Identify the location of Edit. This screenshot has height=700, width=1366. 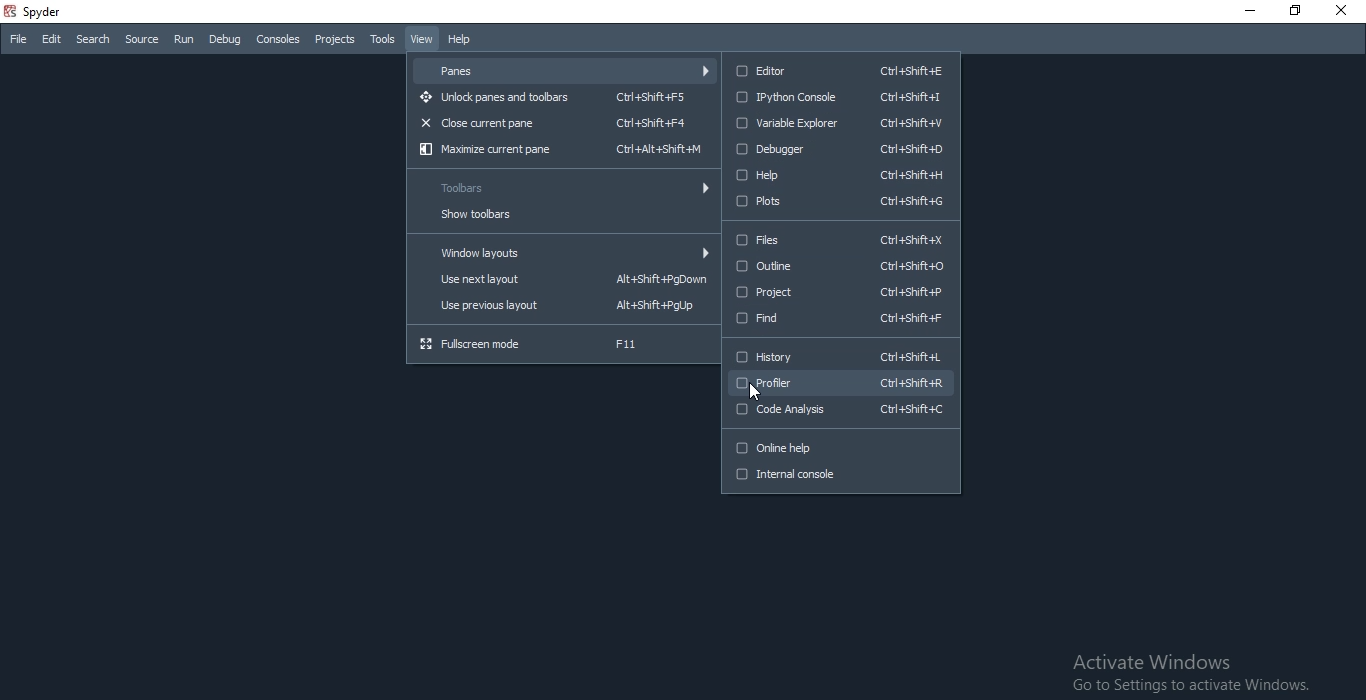
(53, 41).